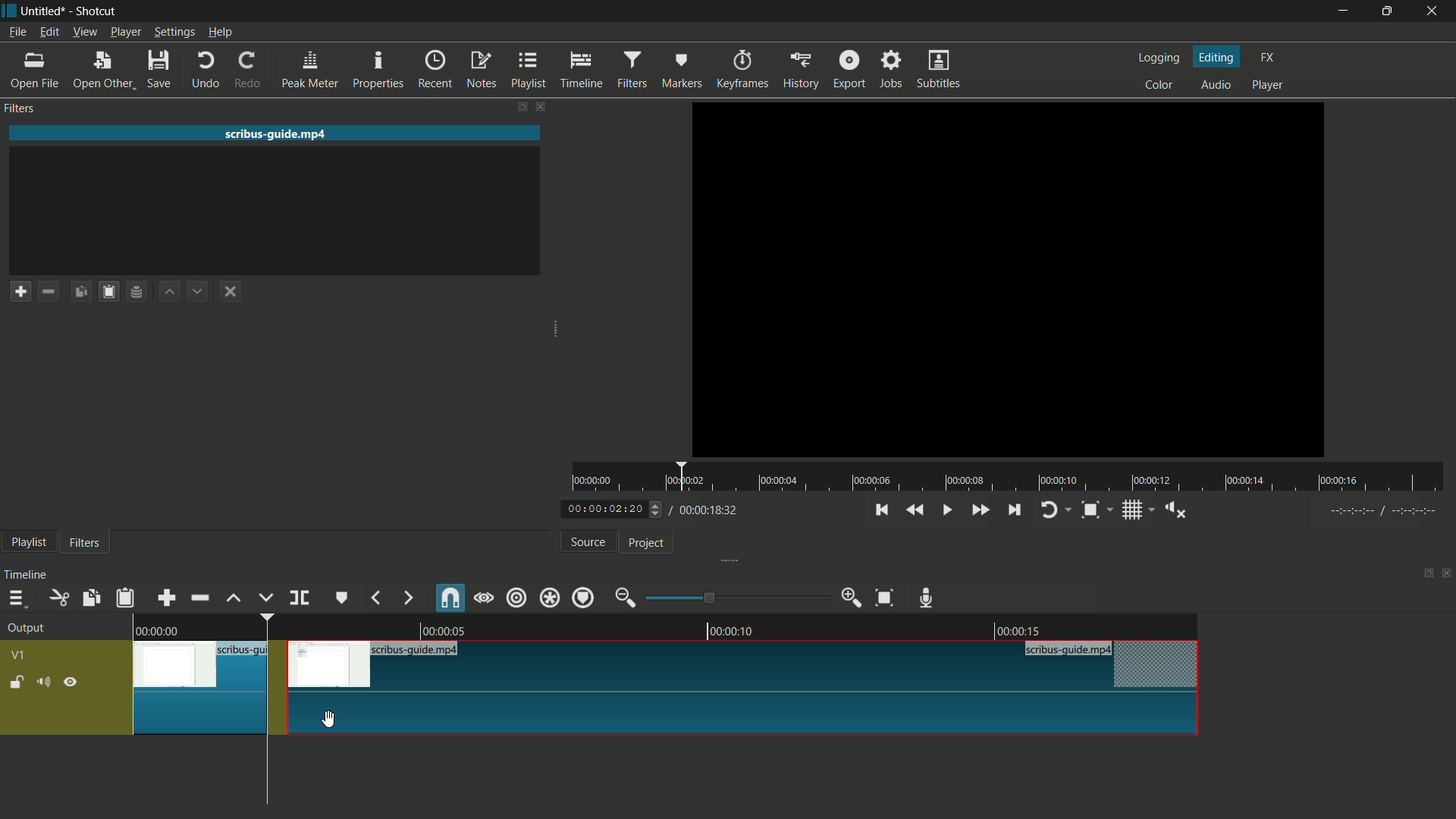 Image resolution: width=1456 pixels, height=819 pixels. What do you see at coordinates (378, 69) in the screenshot?
I see `properties` at bounding box center [378, 69].